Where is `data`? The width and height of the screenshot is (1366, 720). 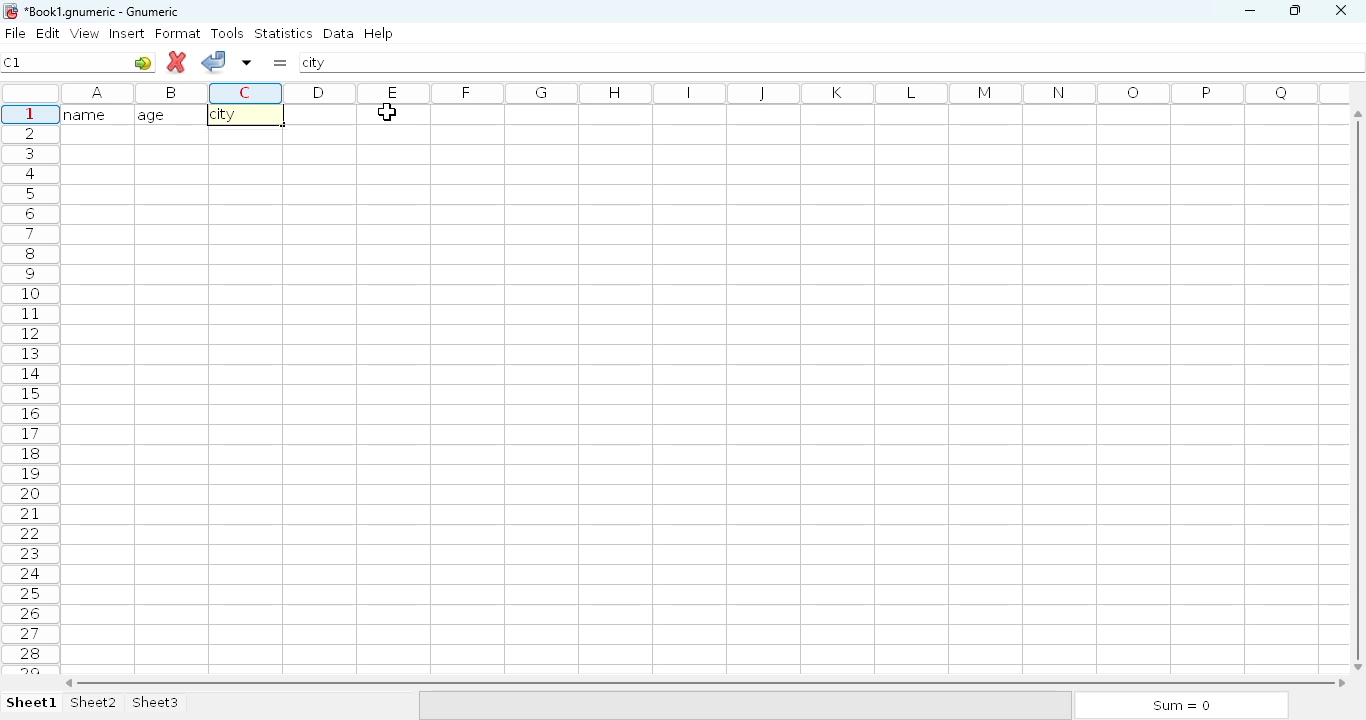 data is located at coordinates (339, 33).